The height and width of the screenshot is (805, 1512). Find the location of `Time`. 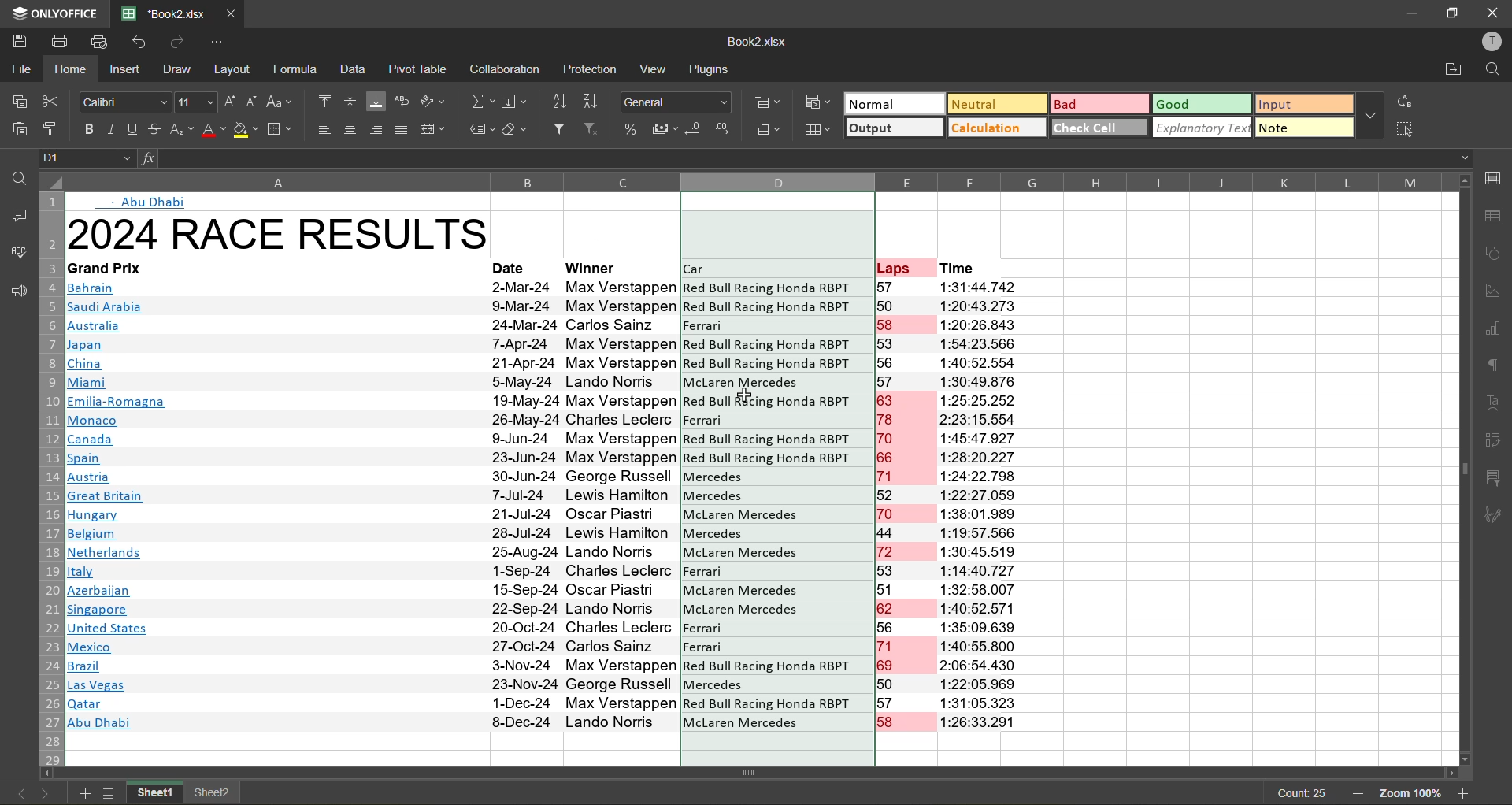

Time is located at coordinates (962, 269).